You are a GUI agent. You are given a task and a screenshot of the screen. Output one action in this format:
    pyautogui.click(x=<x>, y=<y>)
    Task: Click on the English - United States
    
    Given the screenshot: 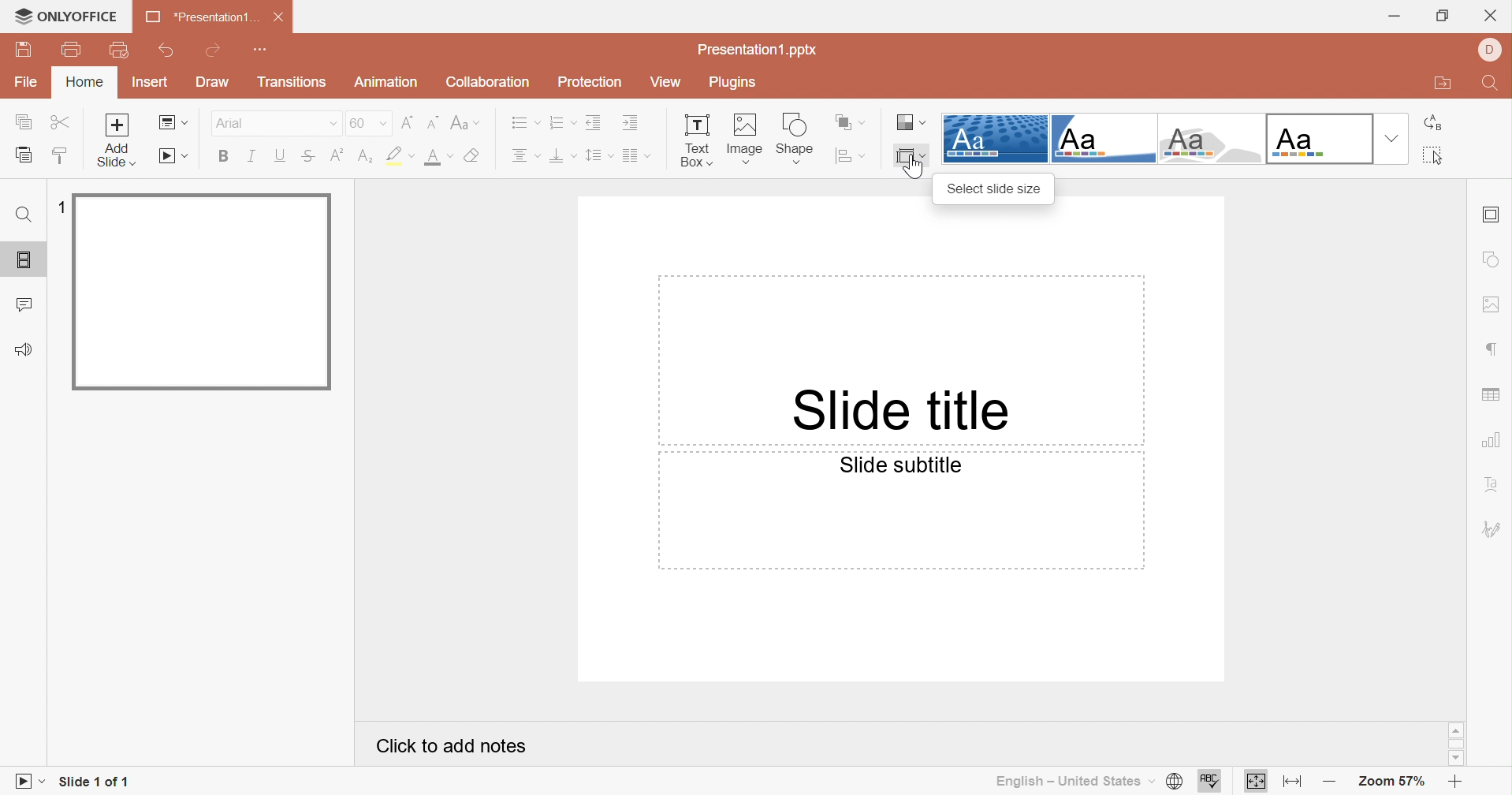 What is the action you would take?
    pyautogui.click(x=1072, y=784)
    